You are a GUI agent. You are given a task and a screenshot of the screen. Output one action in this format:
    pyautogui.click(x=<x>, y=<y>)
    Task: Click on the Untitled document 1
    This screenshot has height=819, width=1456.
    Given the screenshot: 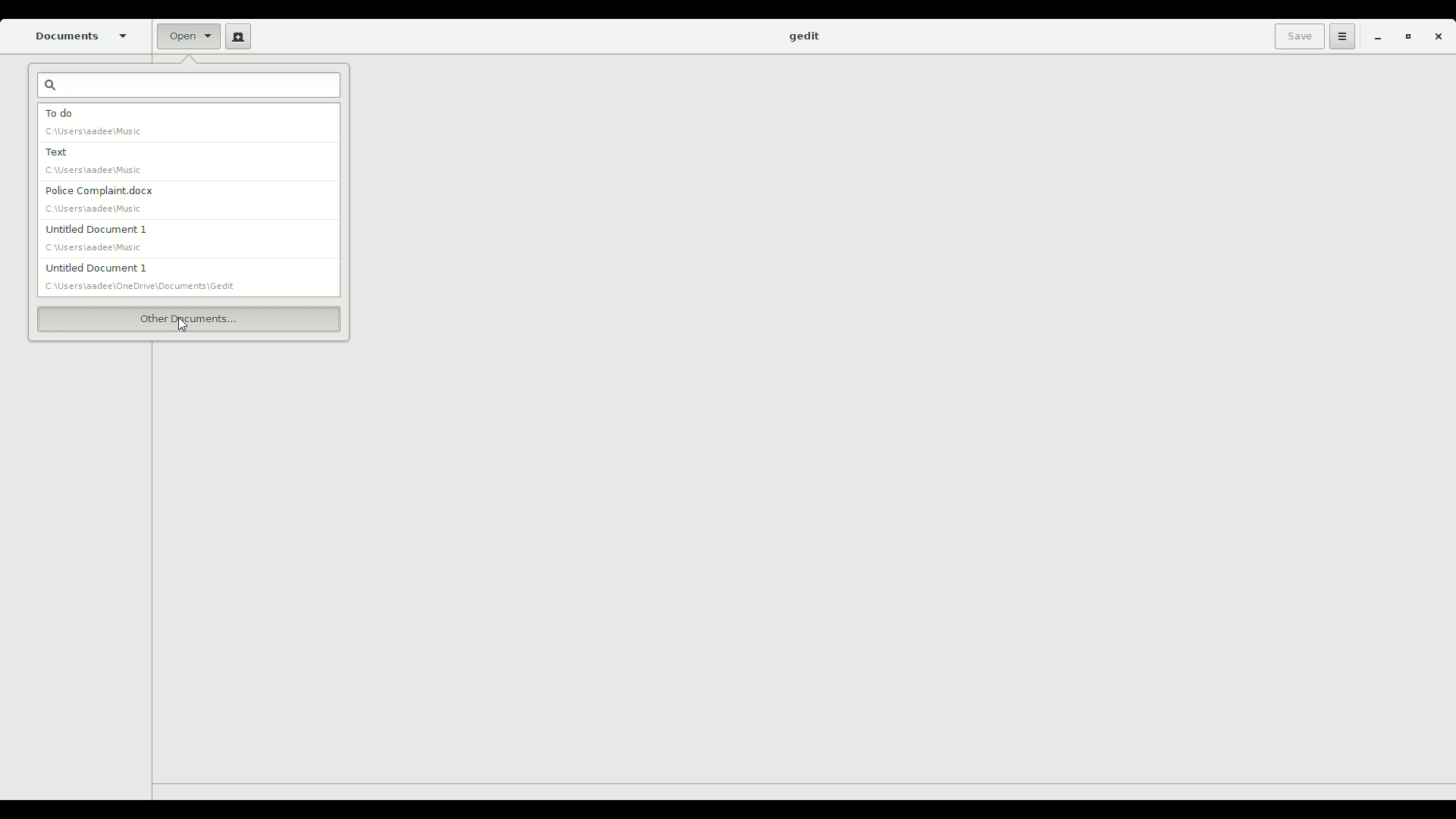 What is the action you would take?
    pyautogui.click(x=91, y=237)
    